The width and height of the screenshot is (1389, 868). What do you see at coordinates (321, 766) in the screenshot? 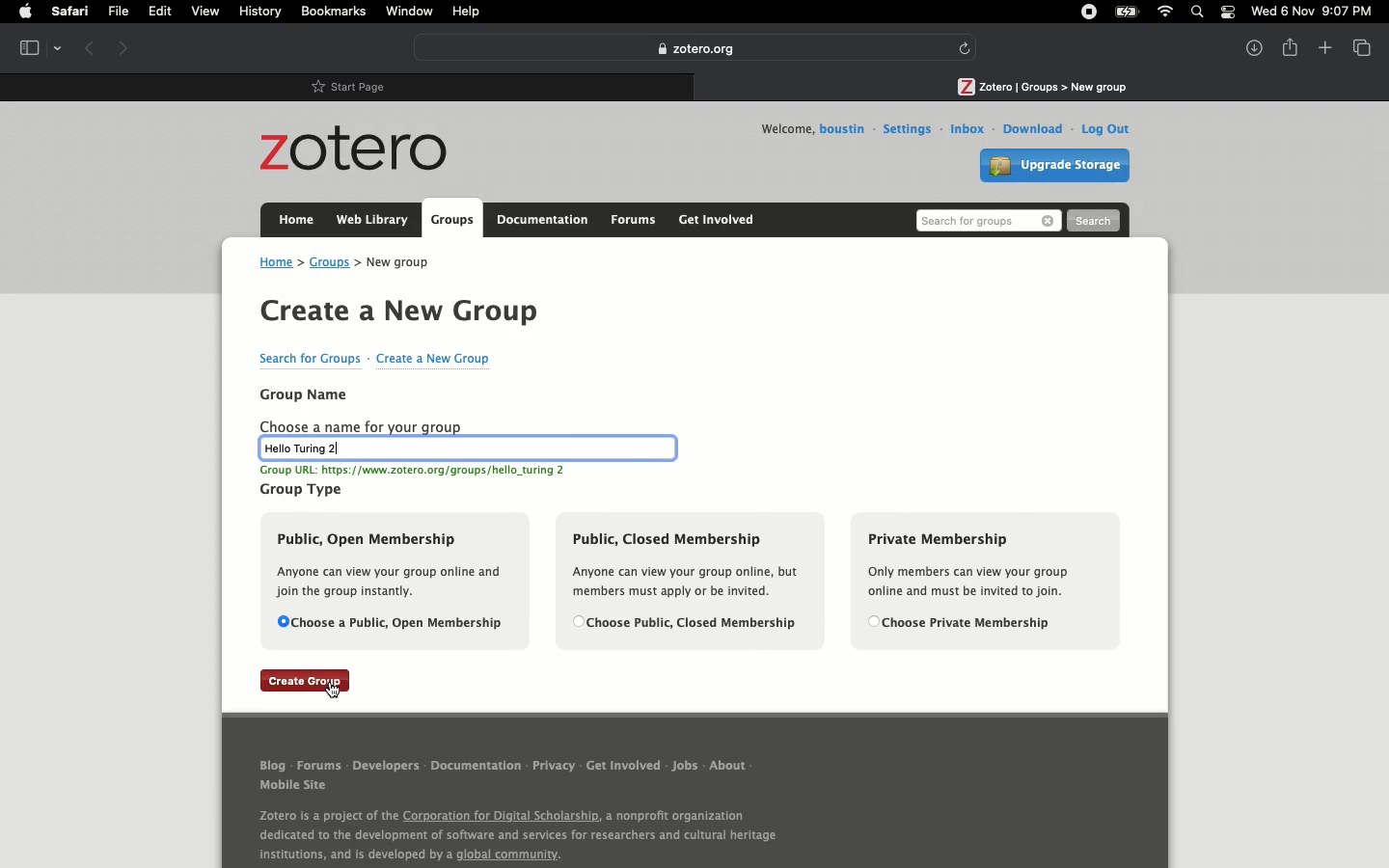
I see `Forums` at bounding box center [321, 766].